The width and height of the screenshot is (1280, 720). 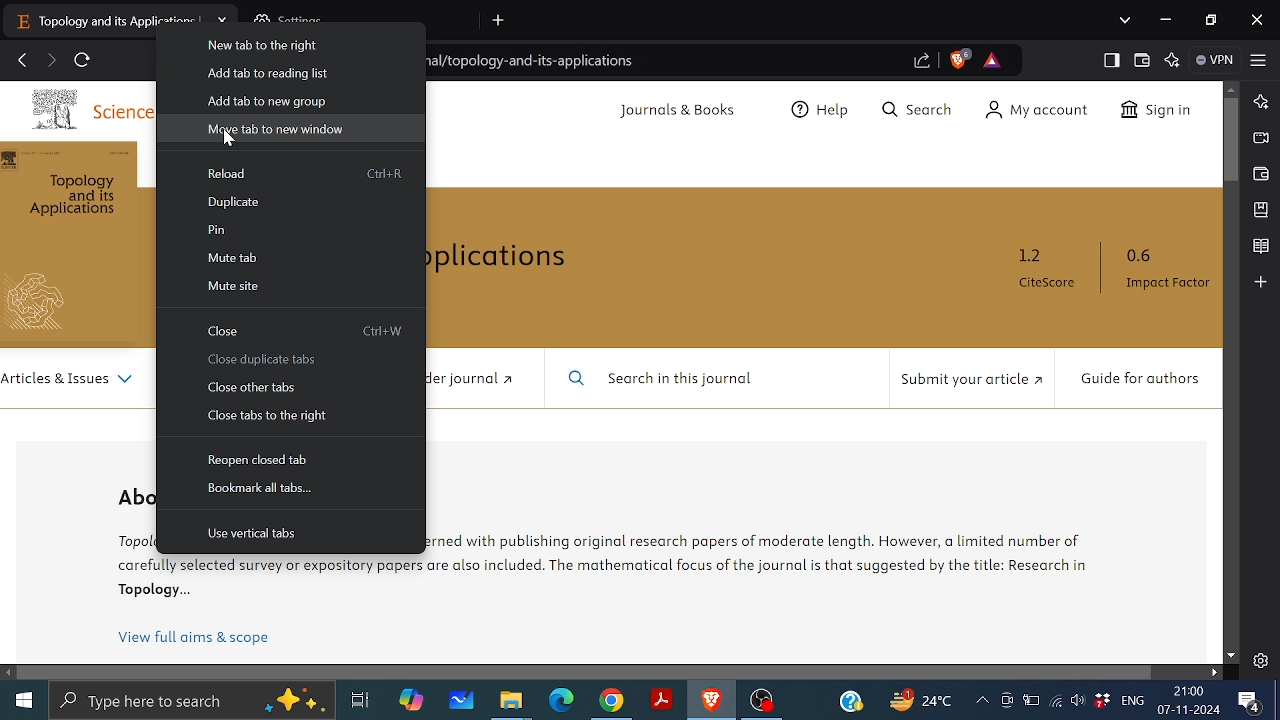 What do you see at coordinates (8, 673) in the screenshot?
I see `Move left` at bounding box center [8, 673].